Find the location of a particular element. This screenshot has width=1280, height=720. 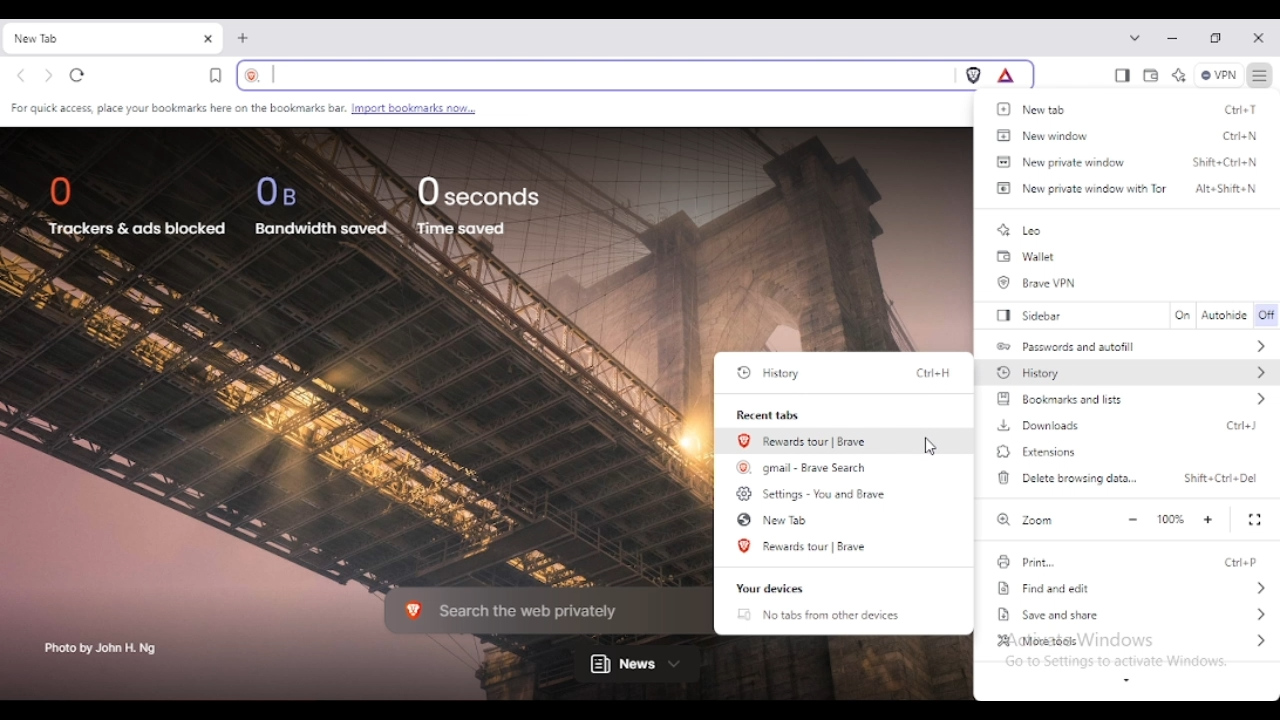

show sidebar is located at coordinates (1122, 76).